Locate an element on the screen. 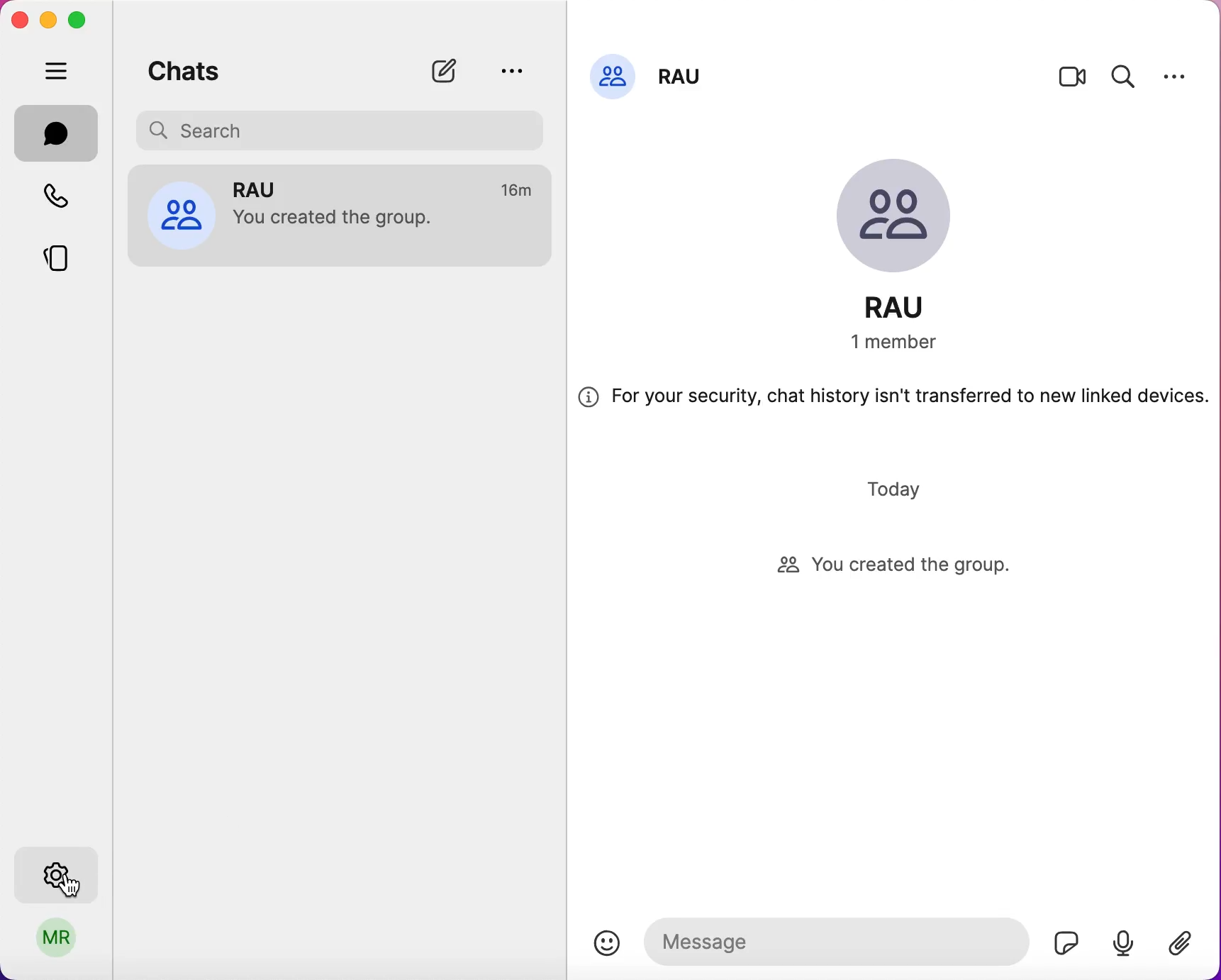 Image resolution: width=1221 pixels, height=980 pixels. group picture is located at coordinates (906, 219).